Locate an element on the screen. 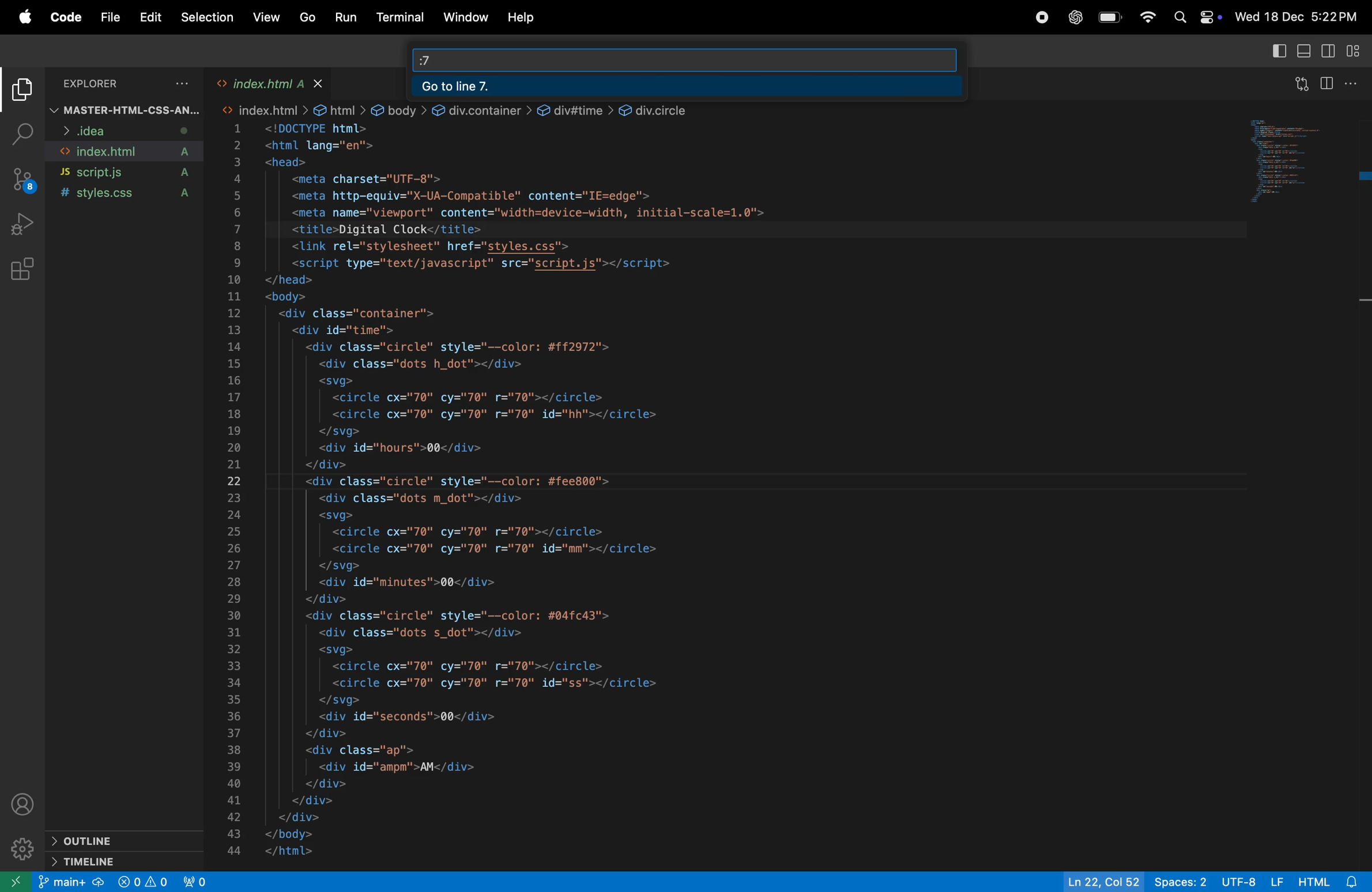 The width and height of the screenshot is (1372, 892). code is located at coordinates (66, 16).